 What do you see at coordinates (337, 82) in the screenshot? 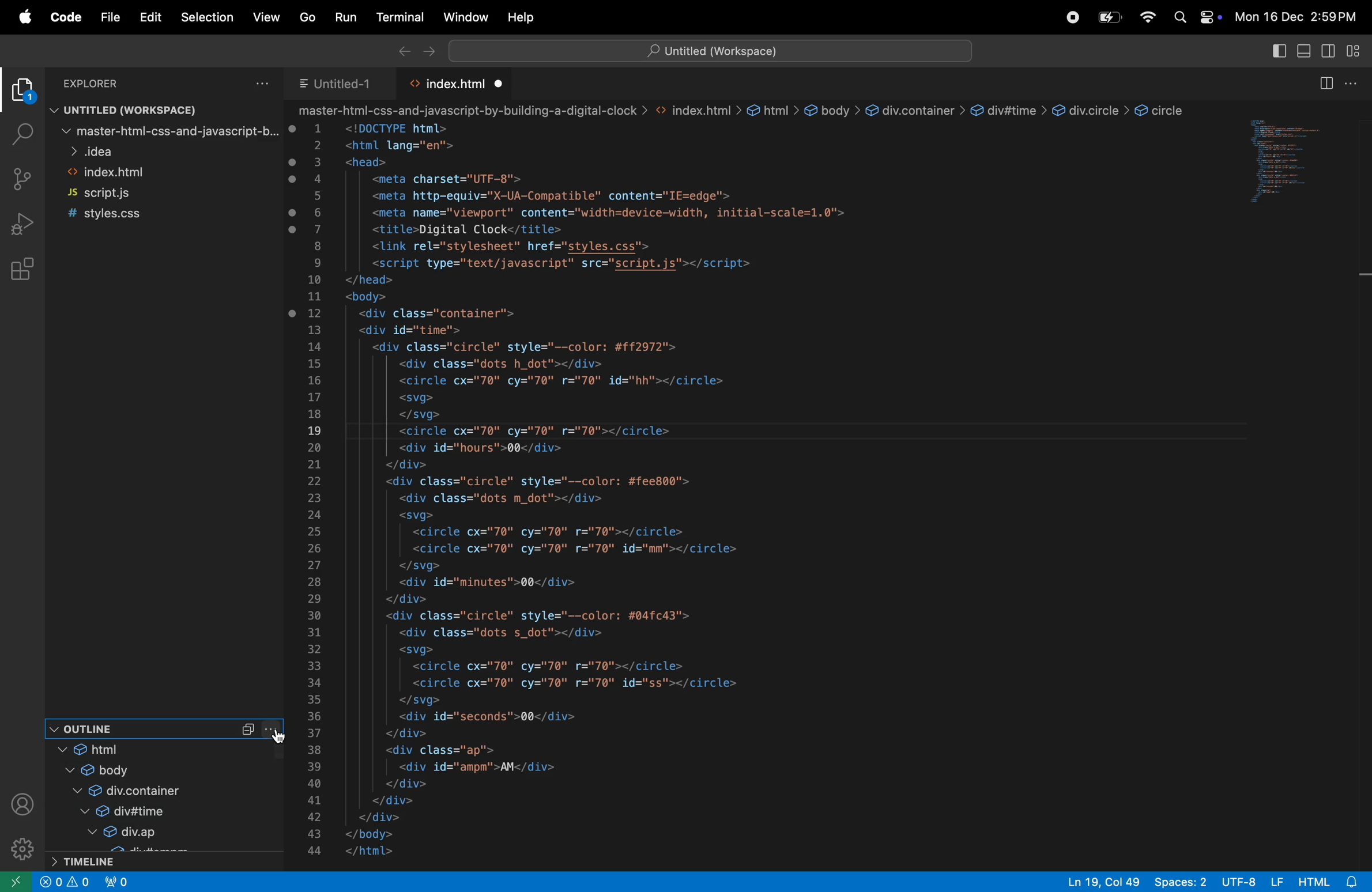
I see `untitled 1` at bounding box center [337, 82].